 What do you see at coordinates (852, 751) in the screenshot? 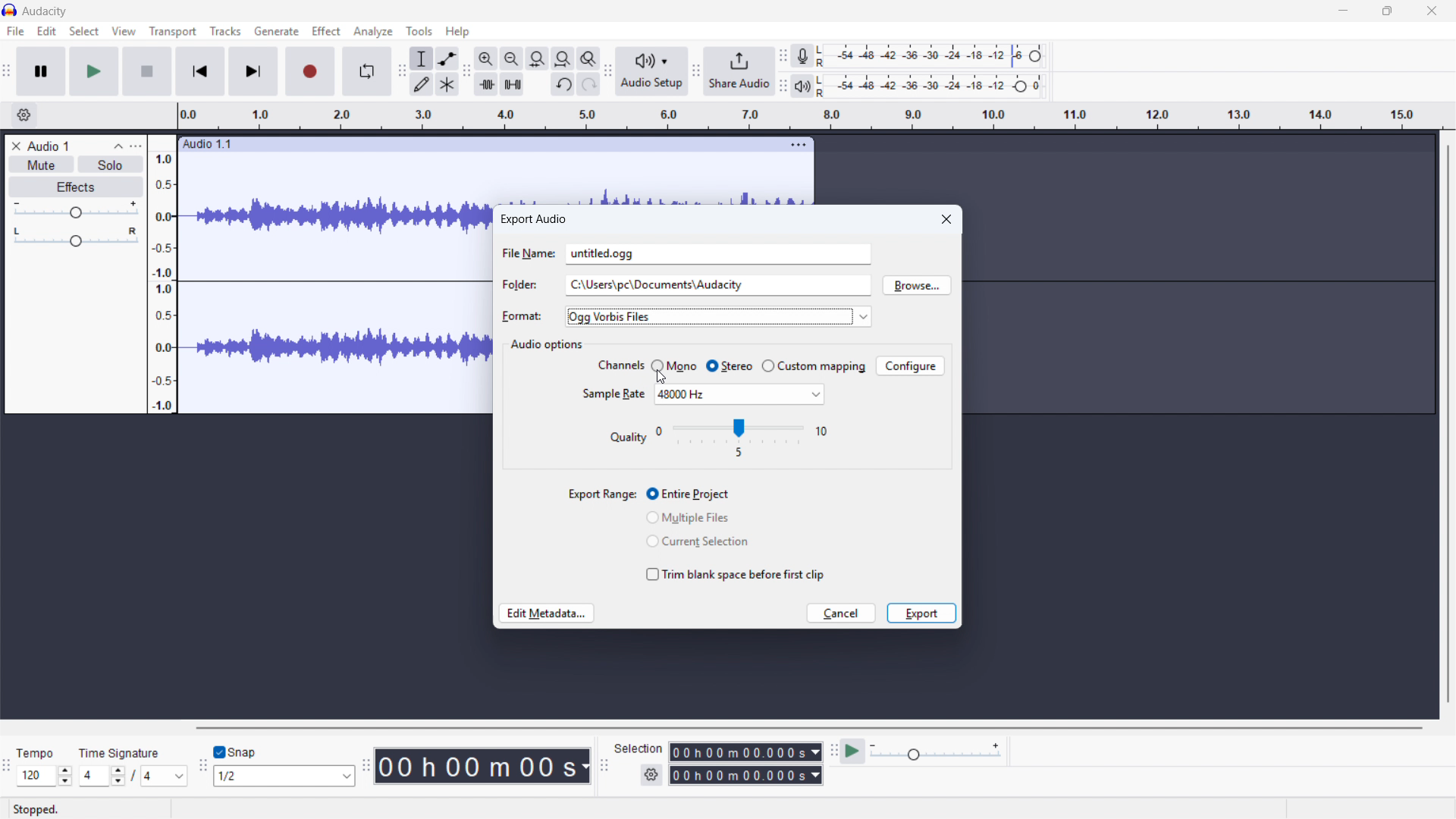
I see `Play at speed` at bounding box center [852, 751].